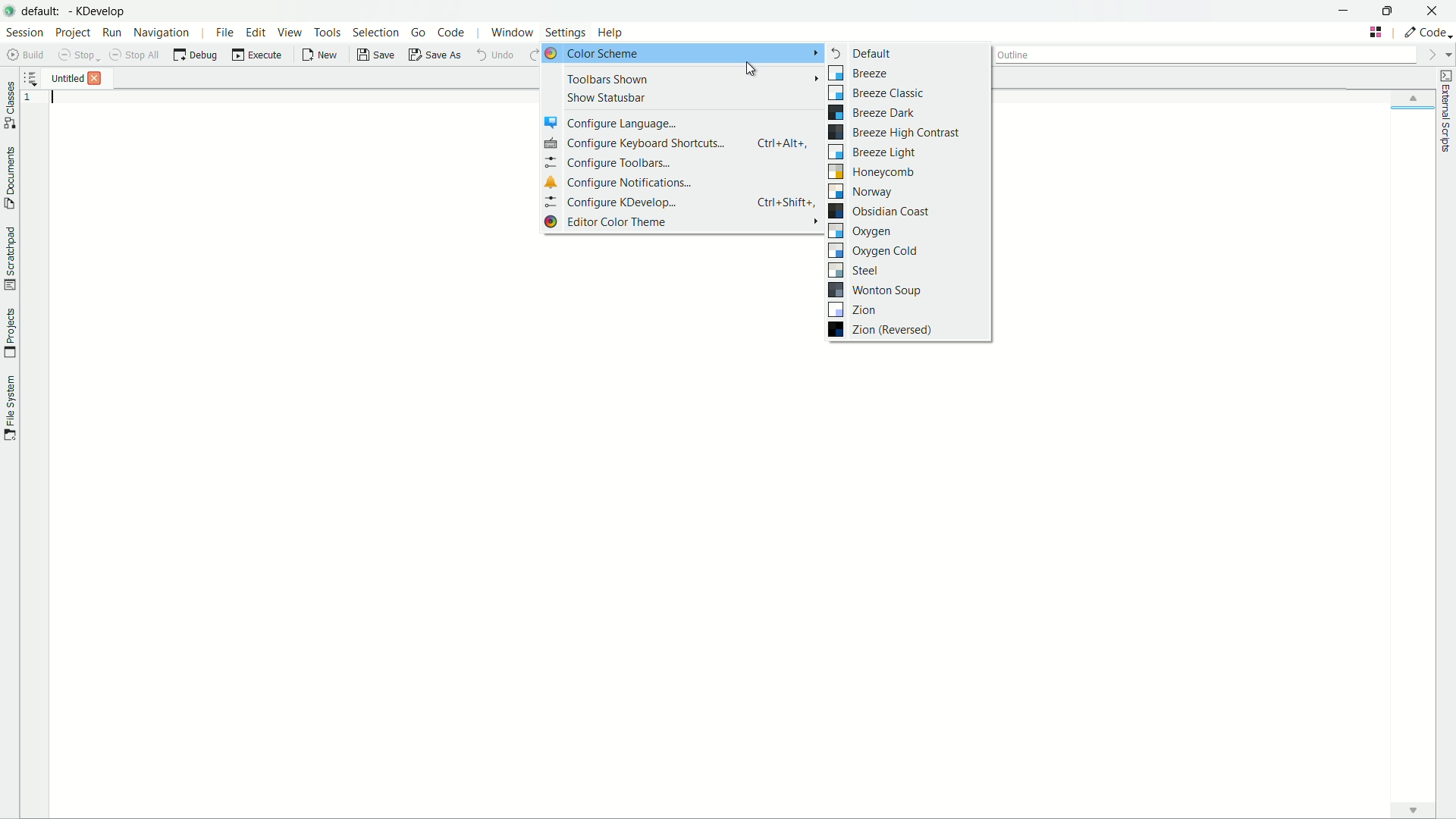  Describe the element at coordinates (1426, 32) in the screenshot. I see `execute actions to change the area` at that location.